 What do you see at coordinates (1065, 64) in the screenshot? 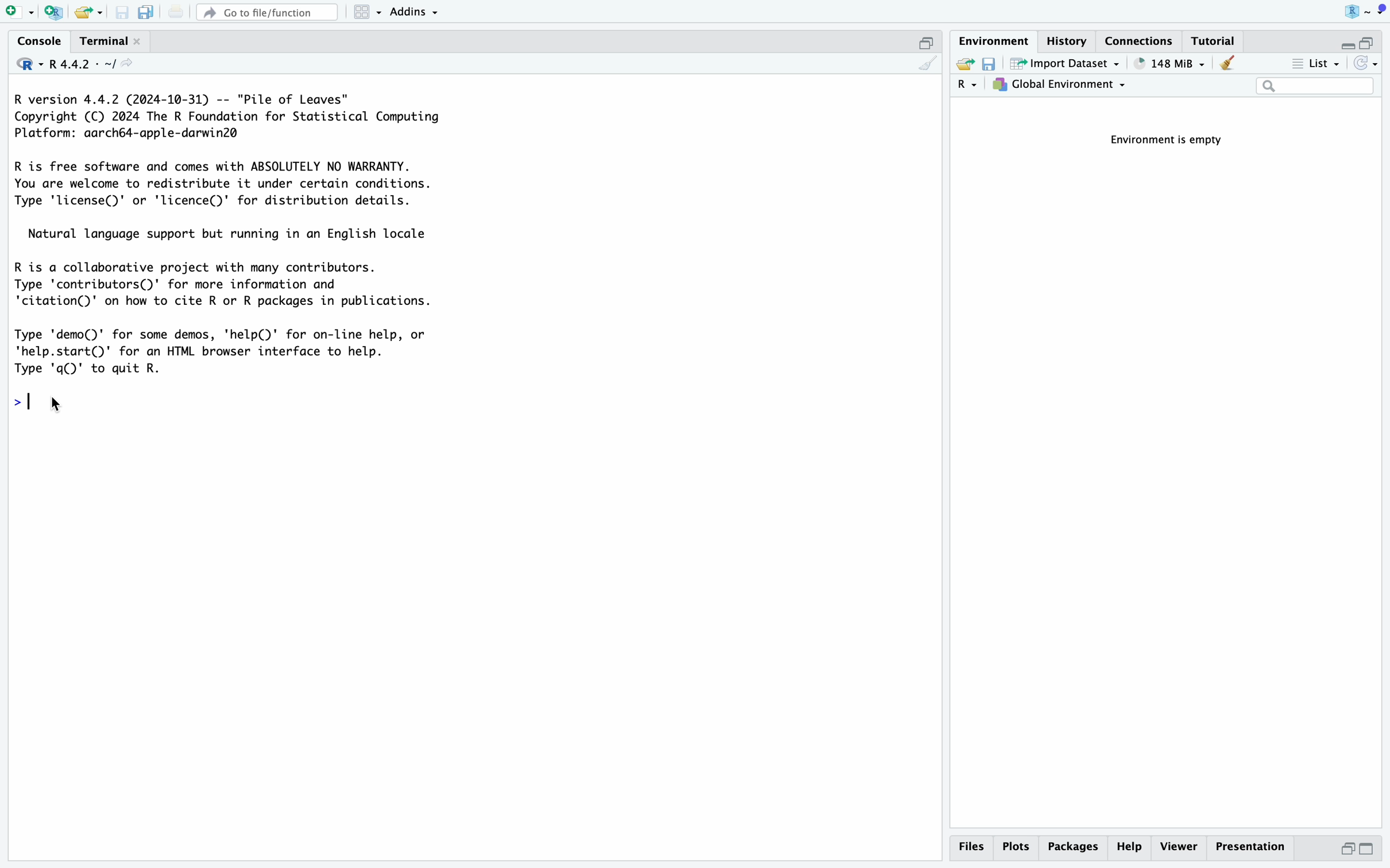
I see `import dataset` at bounding box center [1065, 64].